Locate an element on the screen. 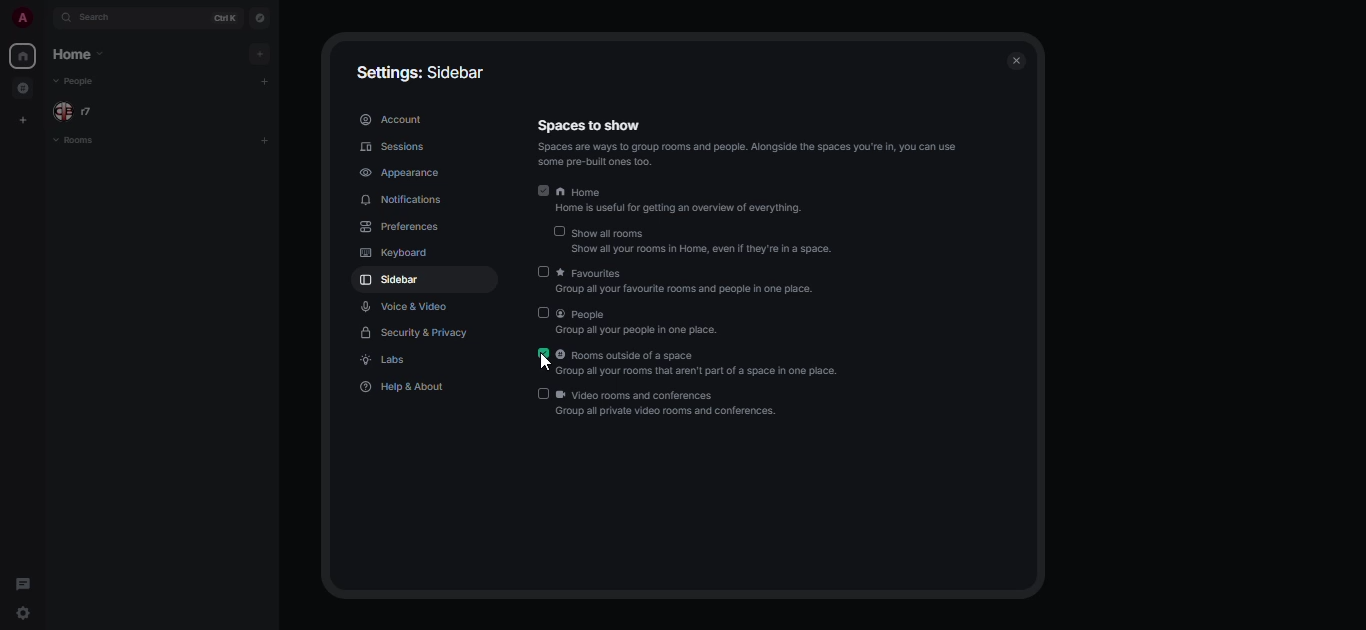 The width and height of the screenshot is (1366, 630). quick settings is located at coordinates (28, 617).